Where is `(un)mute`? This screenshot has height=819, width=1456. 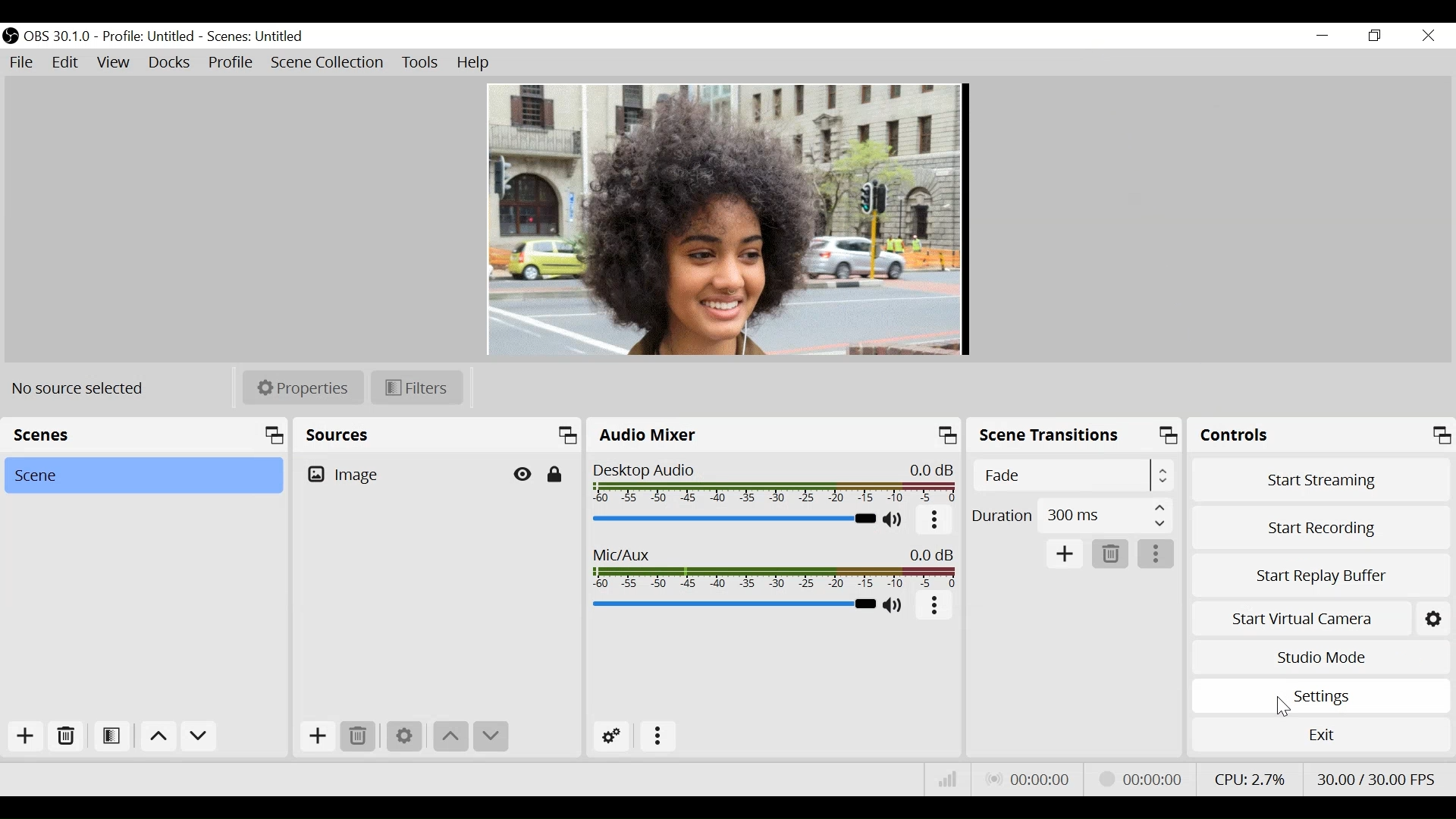
(un)mute is located at coordinates (894, 605).